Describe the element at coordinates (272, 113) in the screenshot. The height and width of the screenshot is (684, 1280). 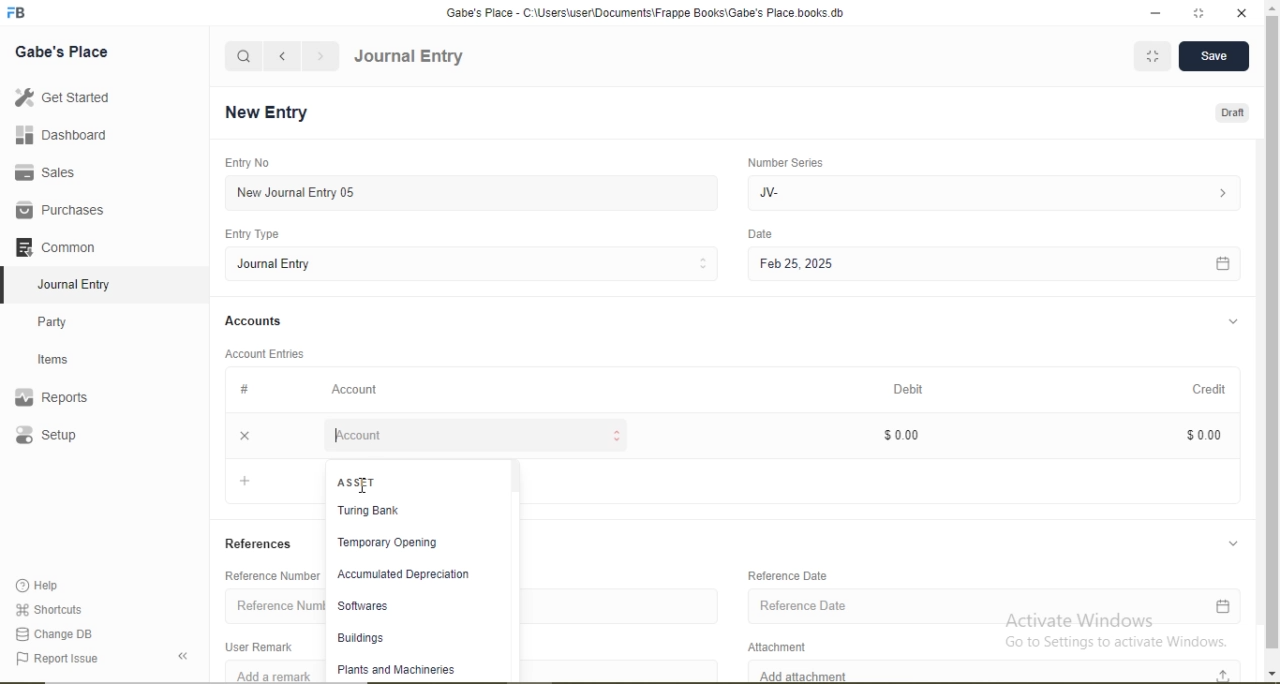
I see `New Entry` at that location.